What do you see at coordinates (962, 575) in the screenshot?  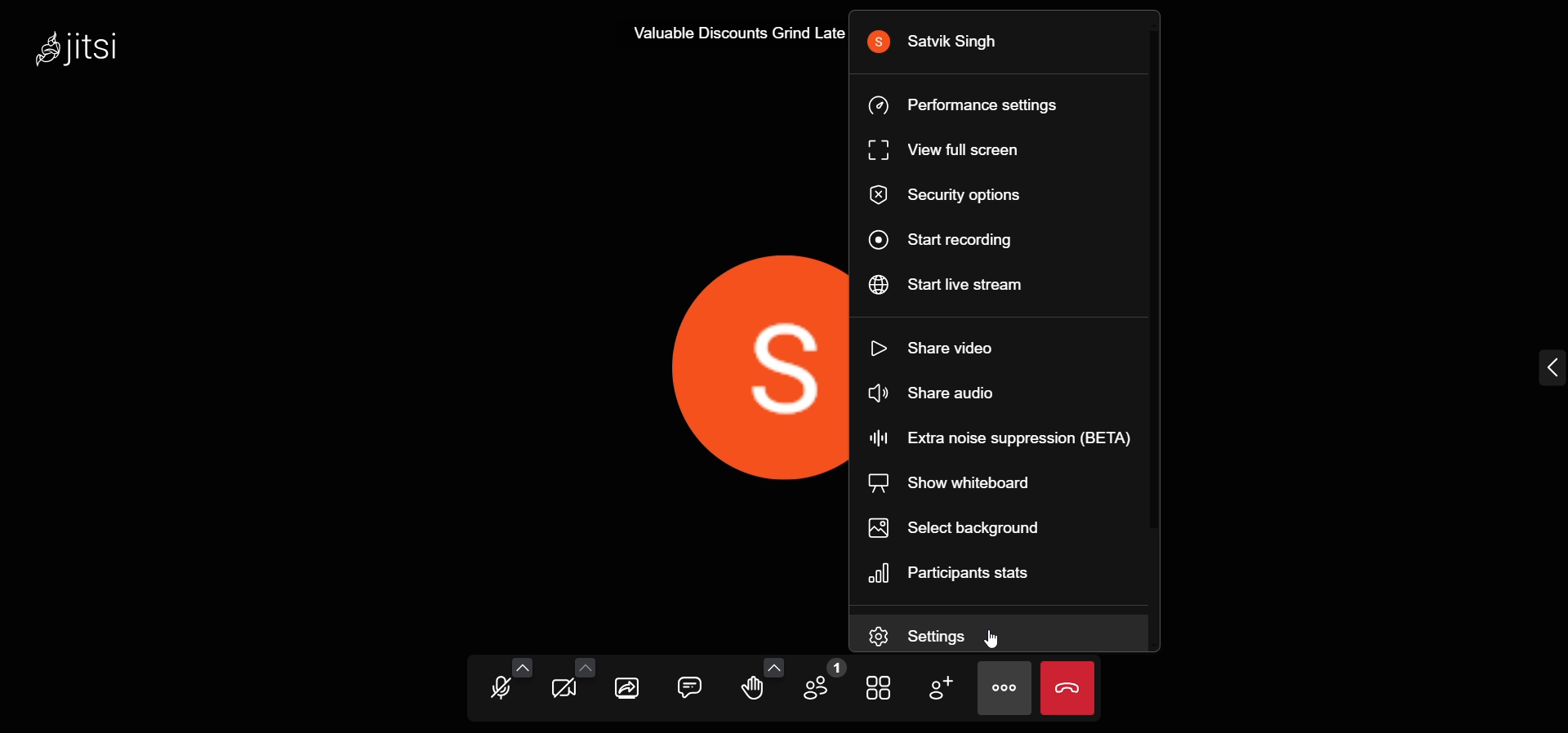 I see `participant stats` at bounding box center [962, 575].